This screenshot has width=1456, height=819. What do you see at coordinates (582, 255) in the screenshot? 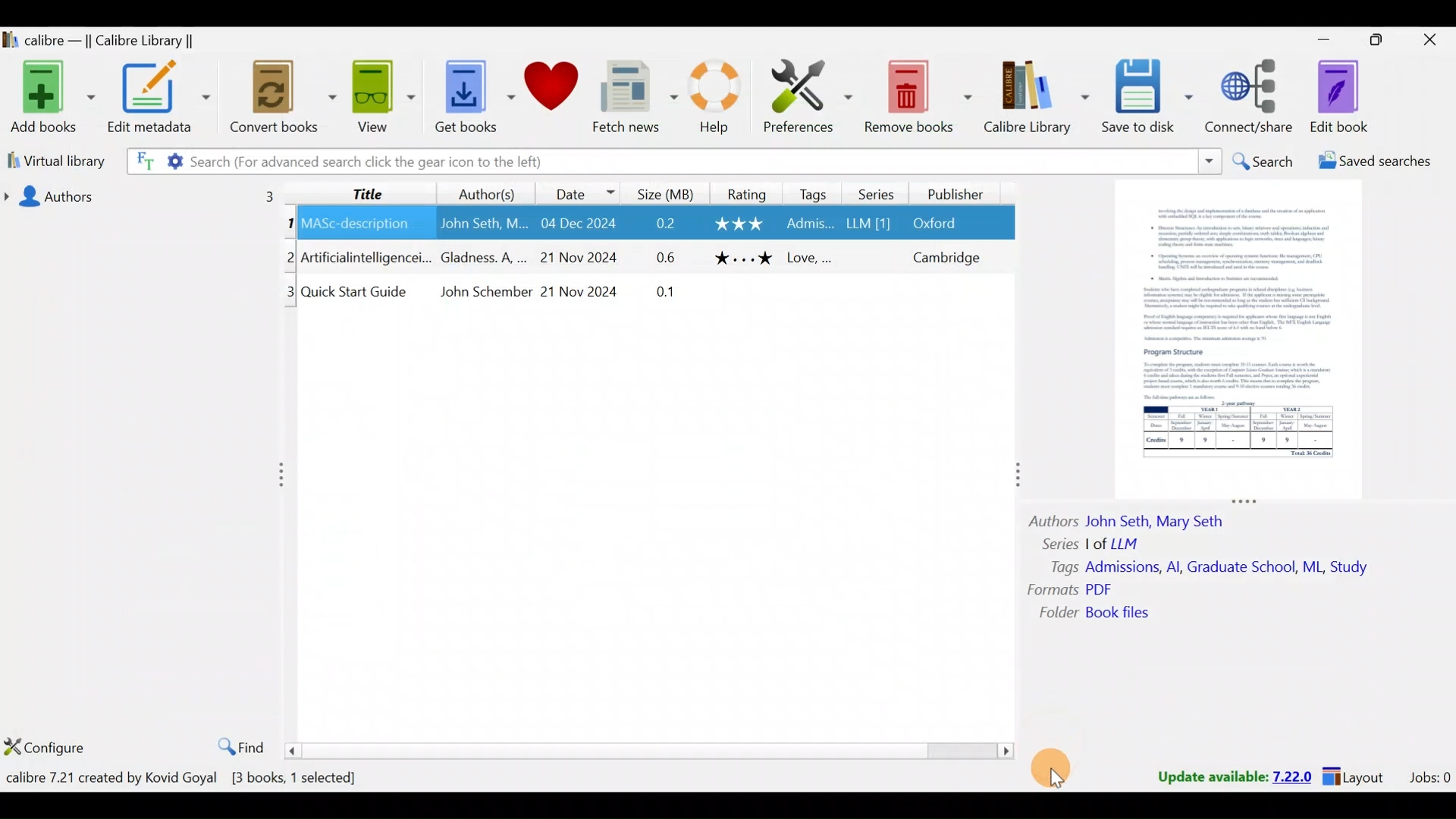
I see `` at bounding box center [582, 255].